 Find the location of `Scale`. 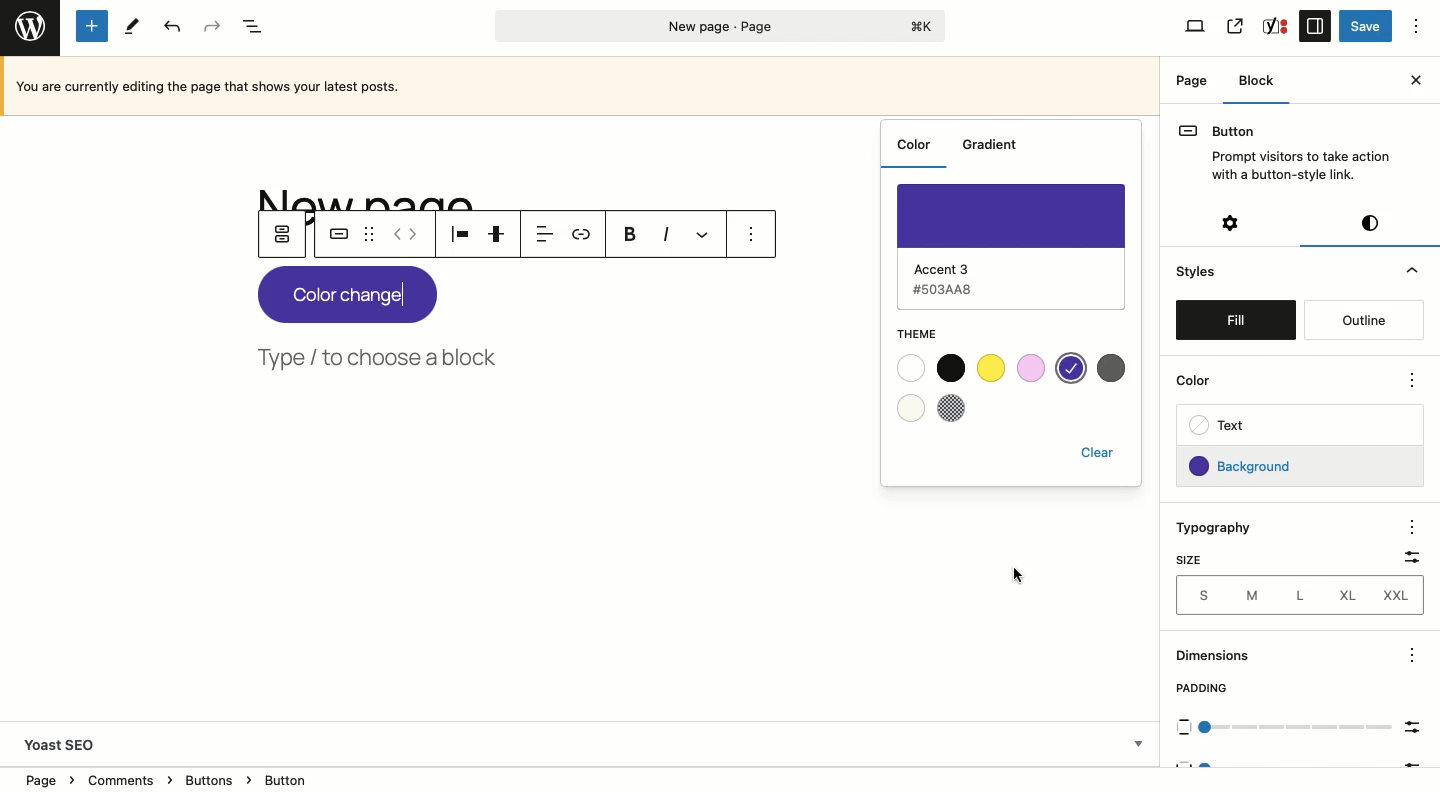

Scale is located at coordinates (1305, 729).